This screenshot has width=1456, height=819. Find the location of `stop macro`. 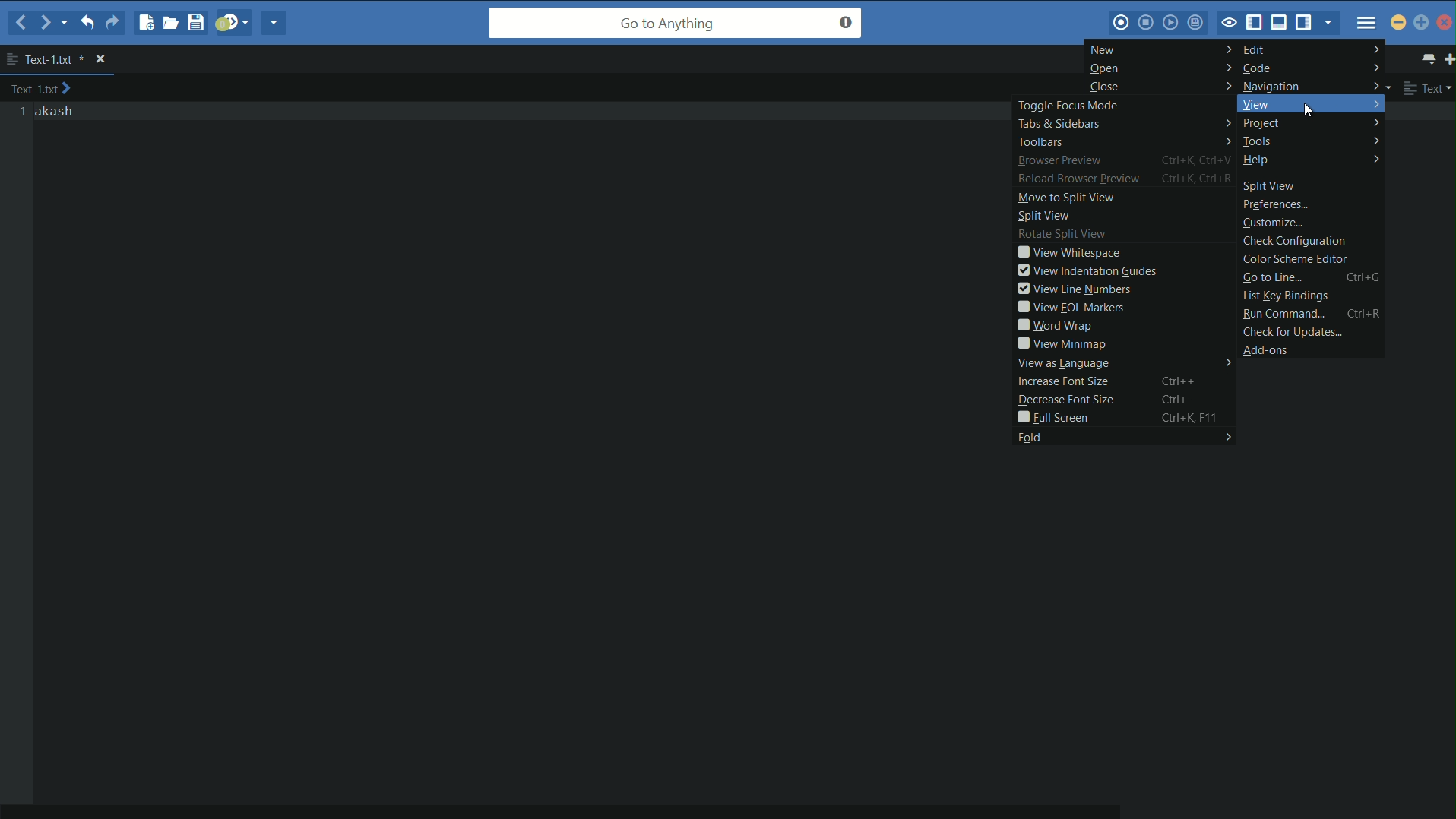

stop macro is located at coordinates (1146, 22).